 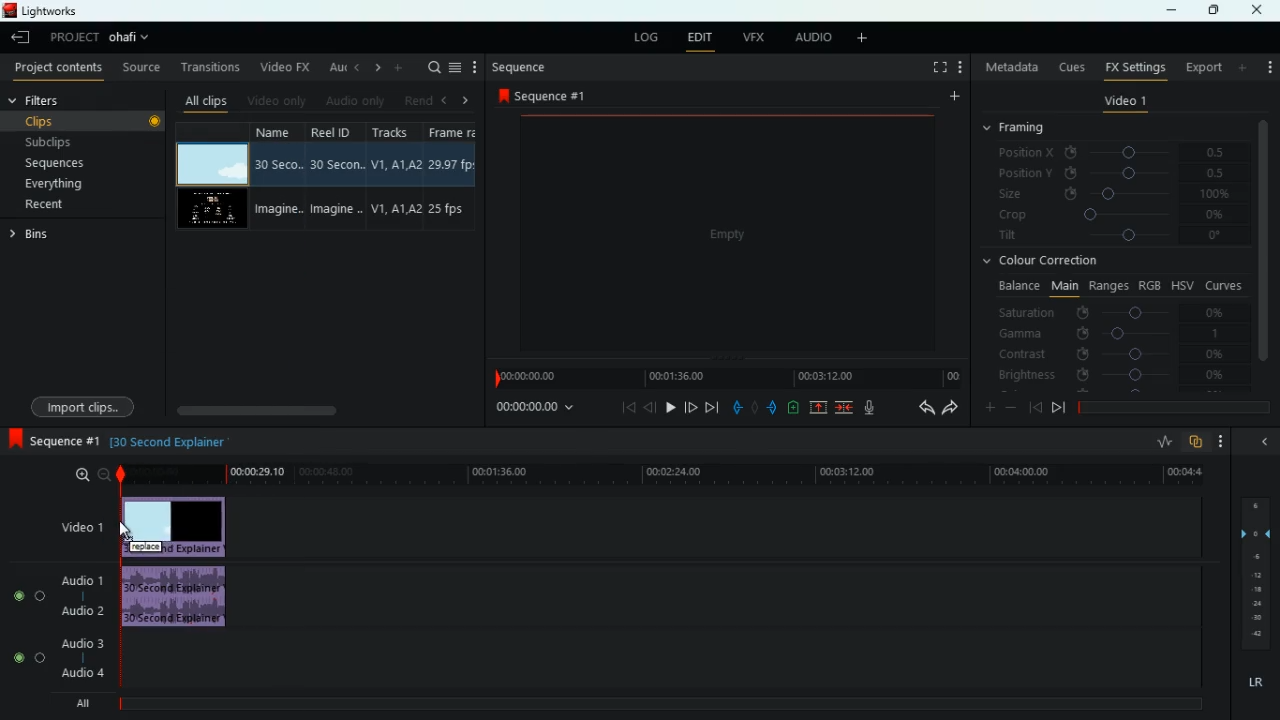 What do you see at coordinates (66, 206) in the screenshot?
I see `recent` at bounding box center [66, 206].